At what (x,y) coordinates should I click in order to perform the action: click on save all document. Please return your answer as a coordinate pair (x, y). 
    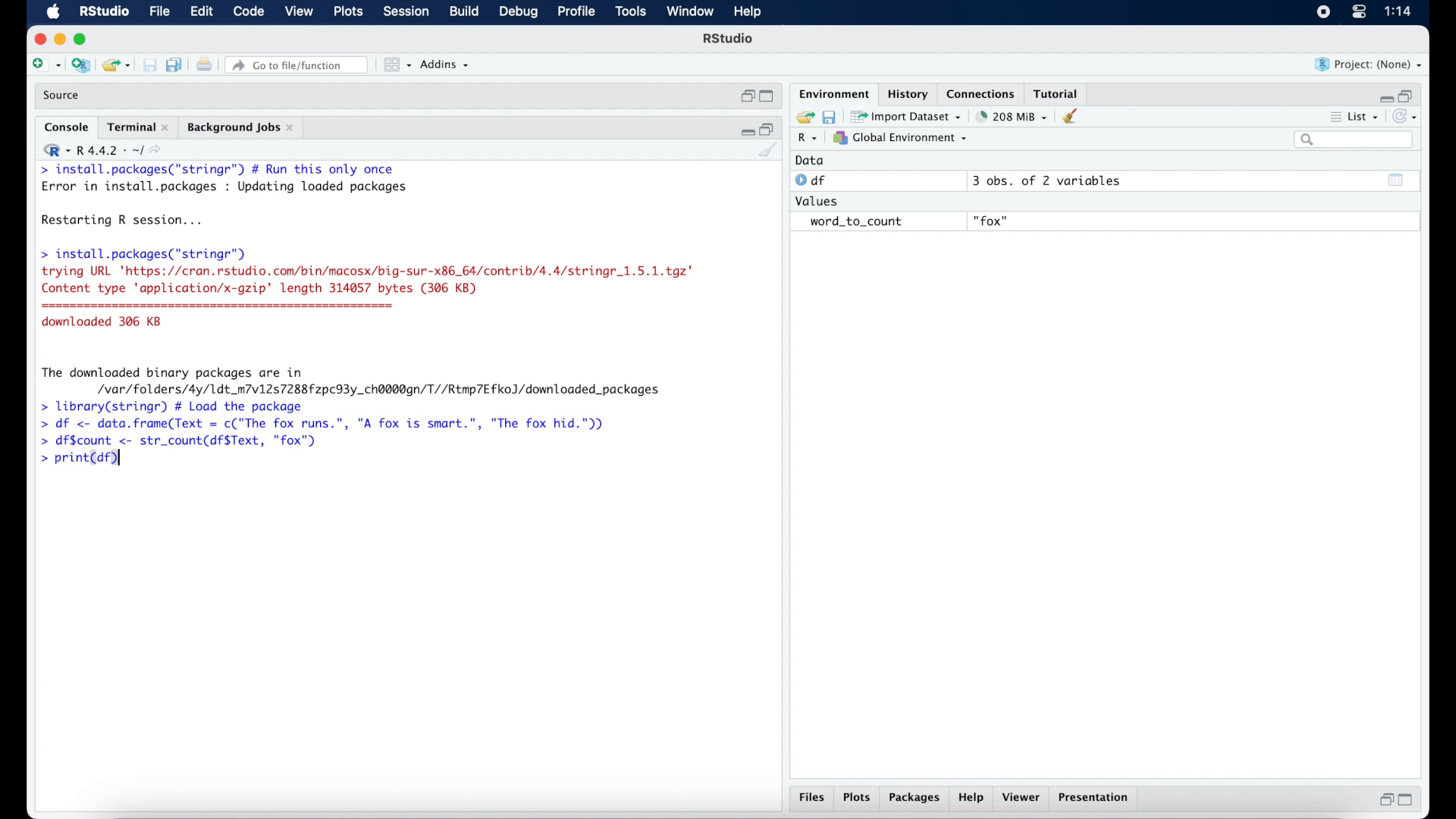
    Looking at the image, I should click on (177, 66).